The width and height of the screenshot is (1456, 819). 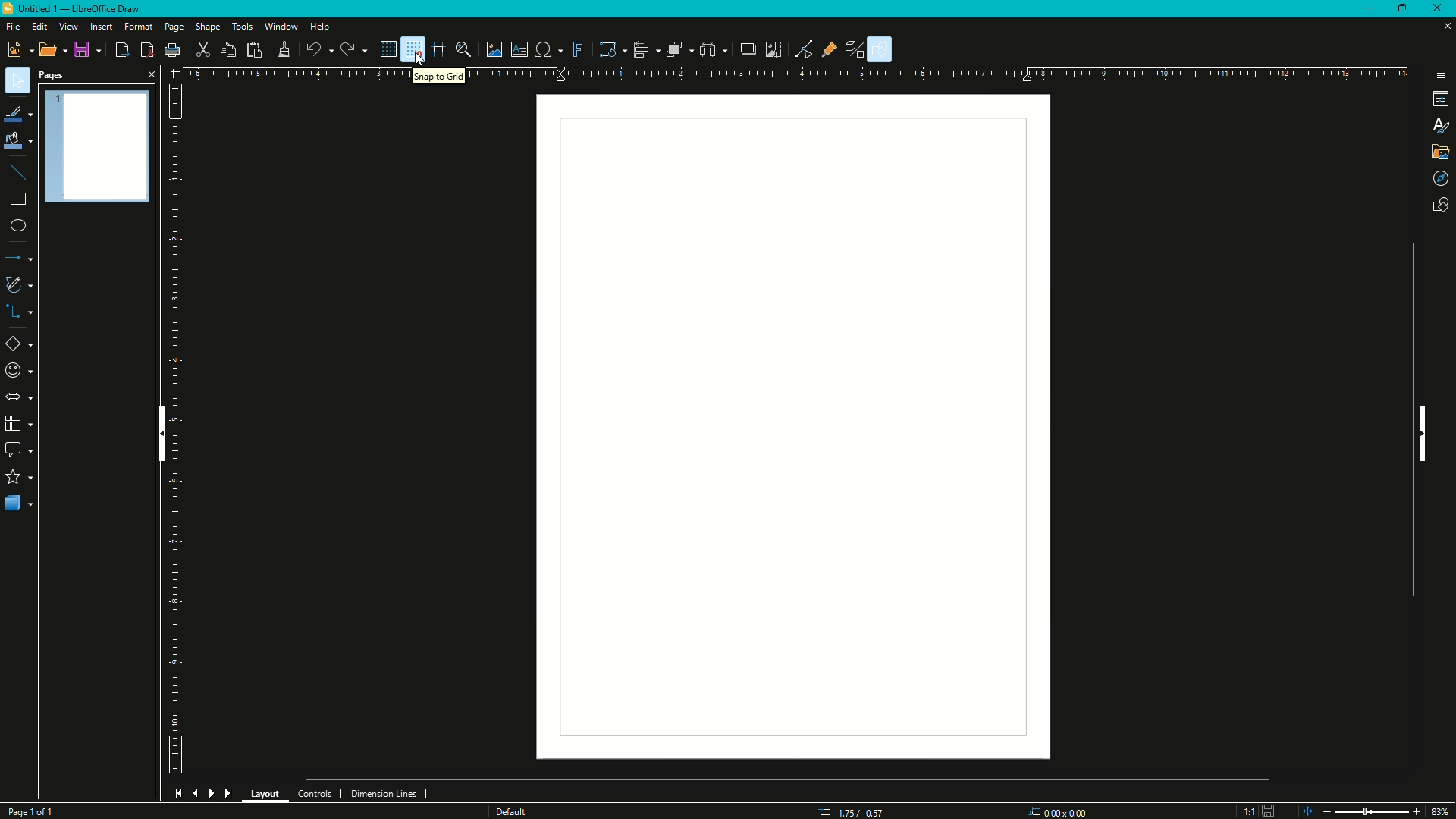 I want to click on Insert Fontwork text, so click(x=573, y=49).